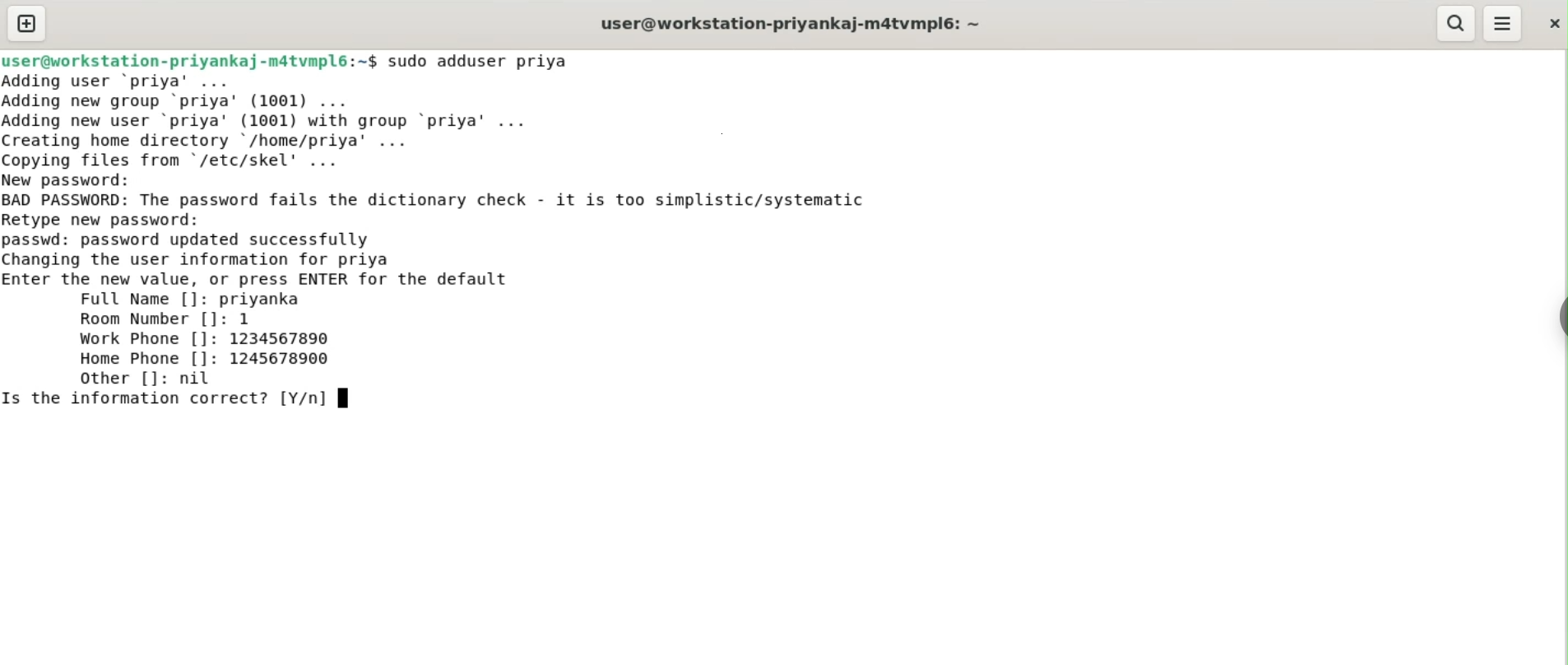  Describe the element at coordinates (150, 321) in the screenshot. I see `room number []:` at that location.